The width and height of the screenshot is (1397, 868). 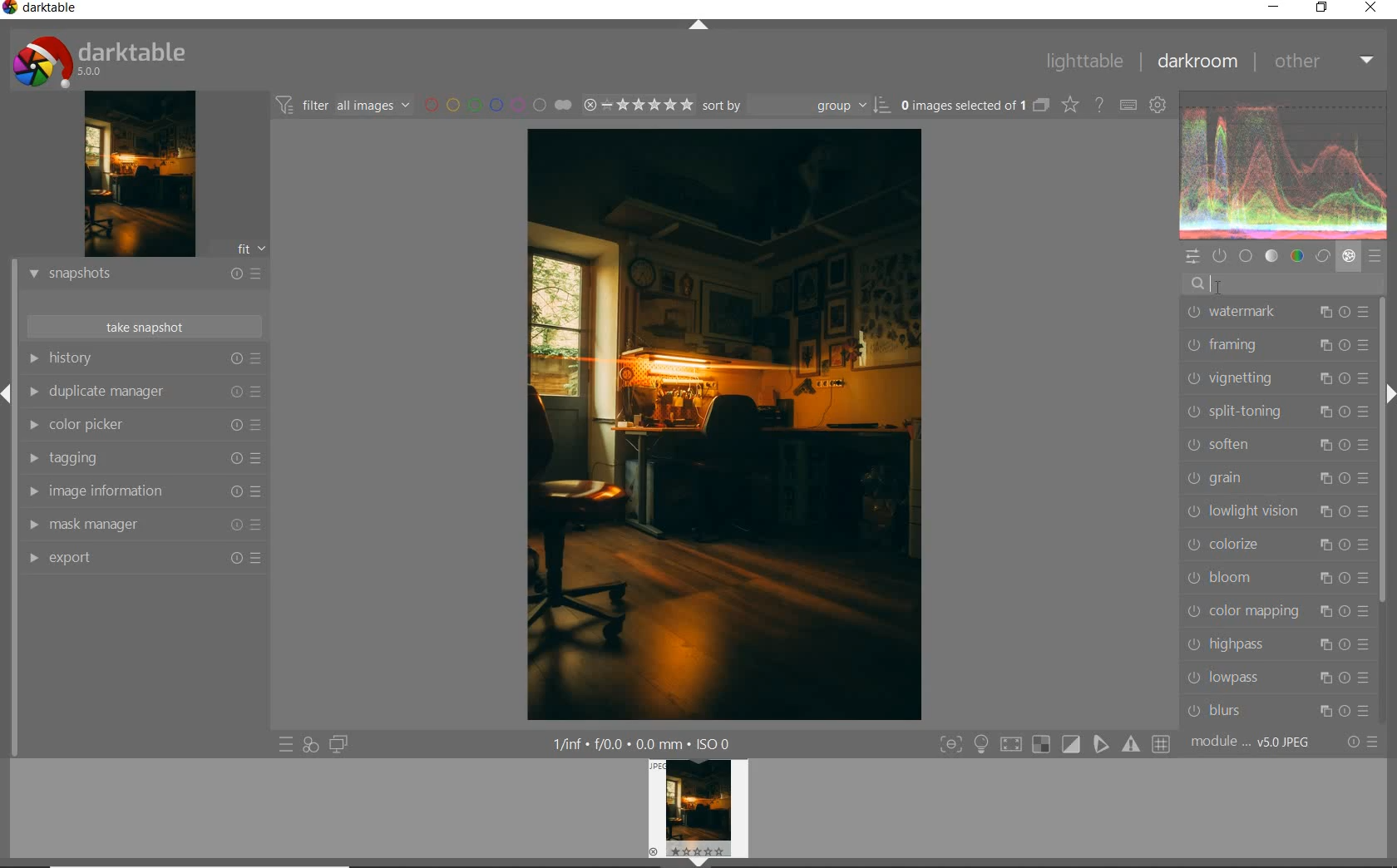 I want to click on quick access panel, so click(x=1191, y=257).